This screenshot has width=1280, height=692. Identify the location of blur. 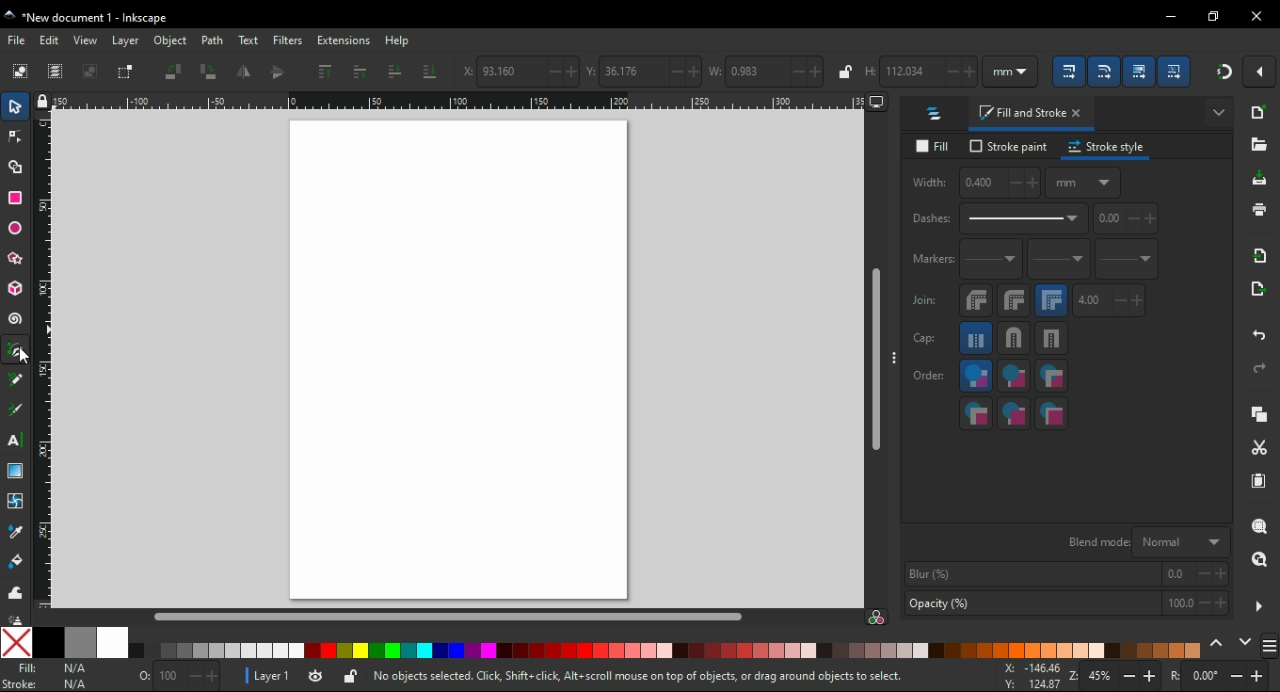
(1064, 574).